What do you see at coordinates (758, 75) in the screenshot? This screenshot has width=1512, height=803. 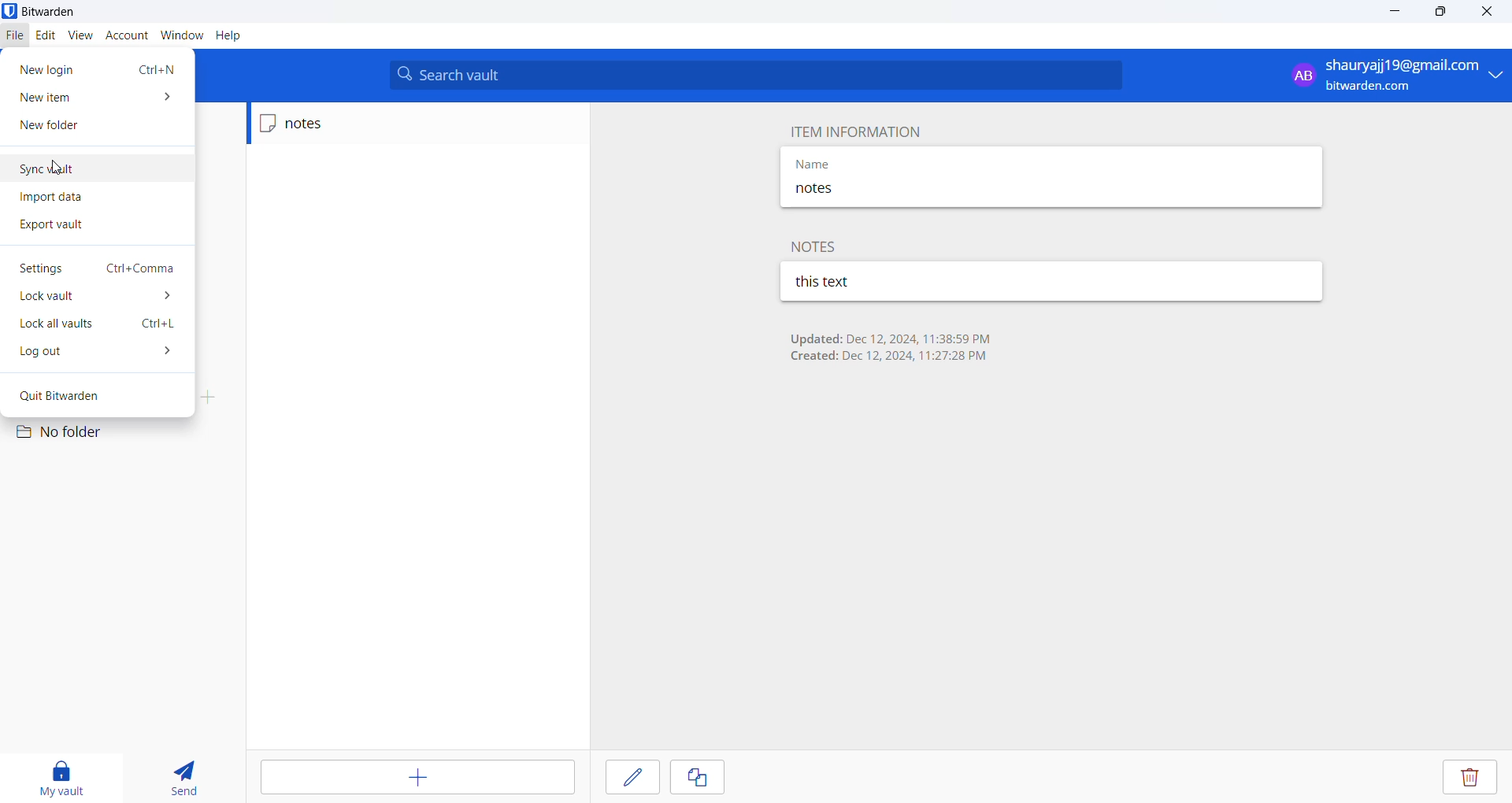 I see `search vault` at bounding box center [758, 75].